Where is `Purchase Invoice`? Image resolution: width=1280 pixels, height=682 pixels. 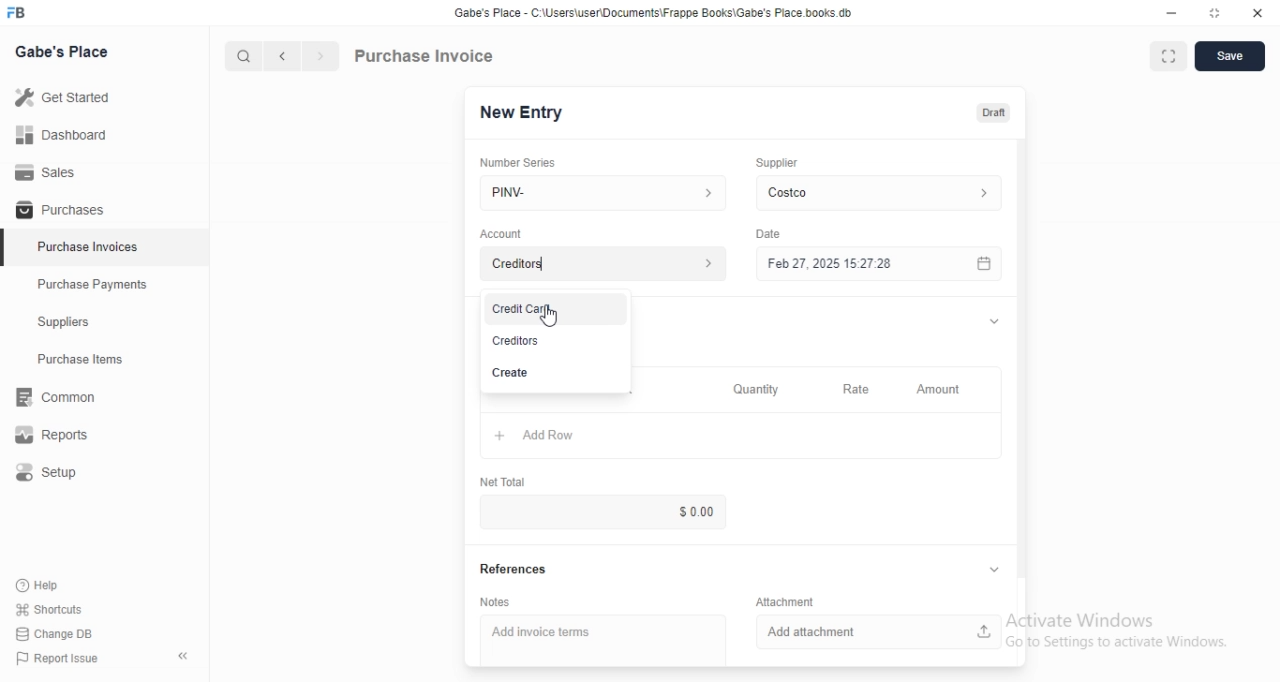
Purchase Invoice is located at coordinates (425, 55).